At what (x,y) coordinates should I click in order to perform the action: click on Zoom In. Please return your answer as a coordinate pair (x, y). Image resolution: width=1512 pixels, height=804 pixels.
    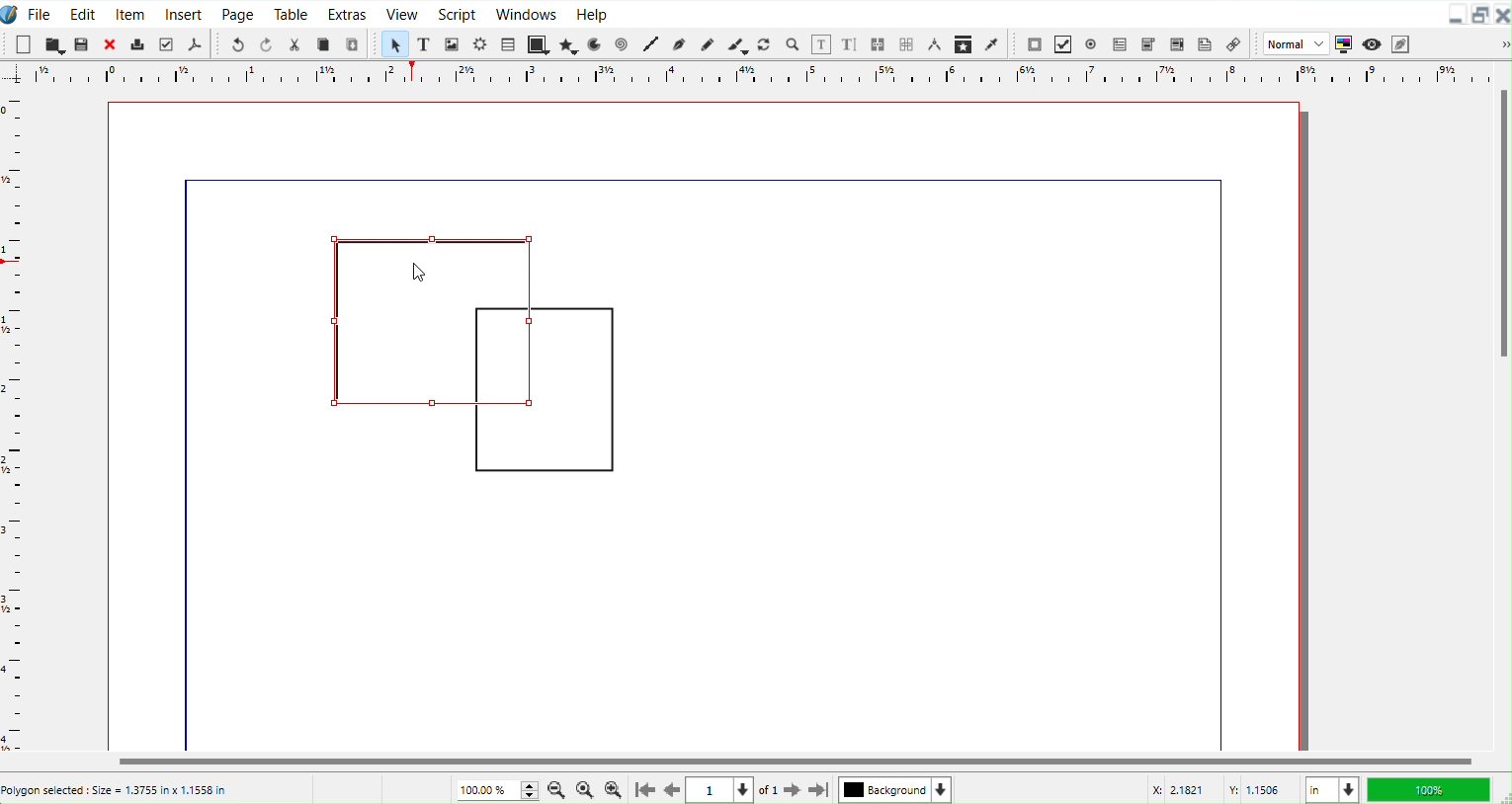
    Looking at the image, I should click on (615, 790).